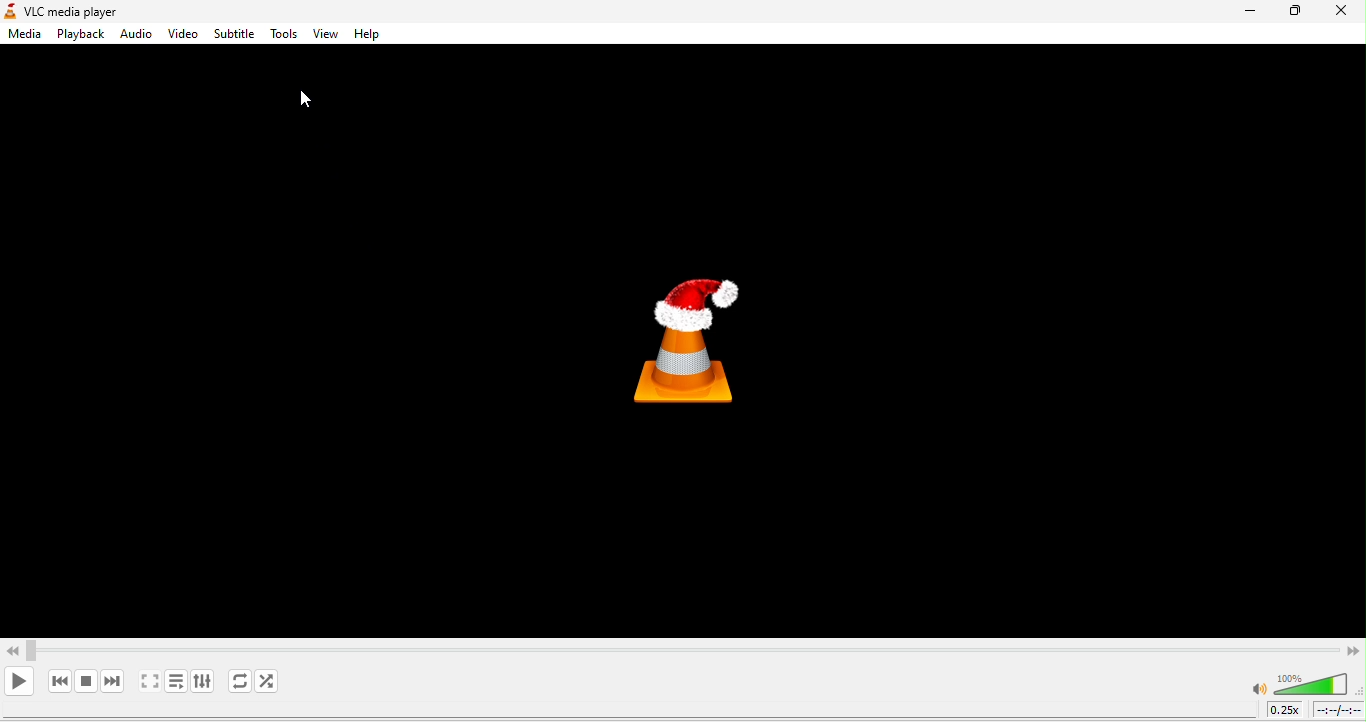 The height and width of the screenshot is (722, 1366). Describe the element at coordinates (111, 681) in the screenshot. I see `next media` at that location.